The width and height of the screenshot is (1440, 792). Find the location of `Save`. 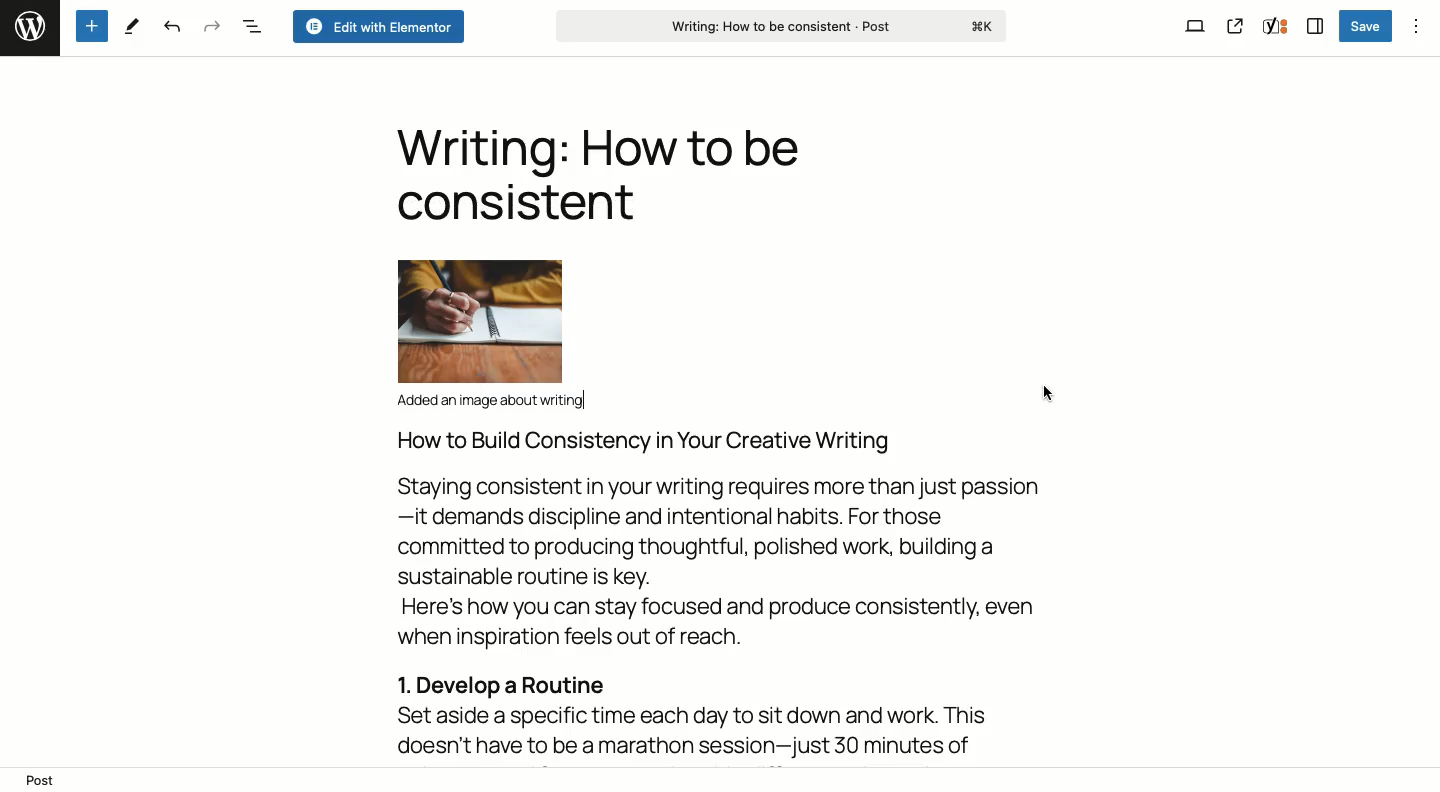

Save is located at coordinates (1367, 27).